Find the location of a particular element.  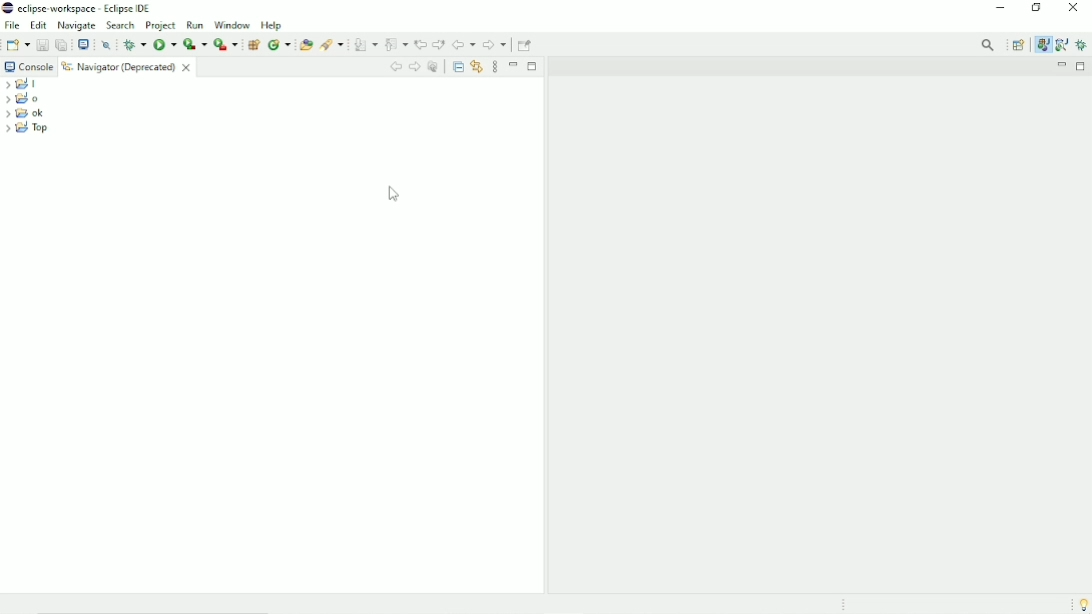

eclipse logo  is located at coordinates (7, 8).